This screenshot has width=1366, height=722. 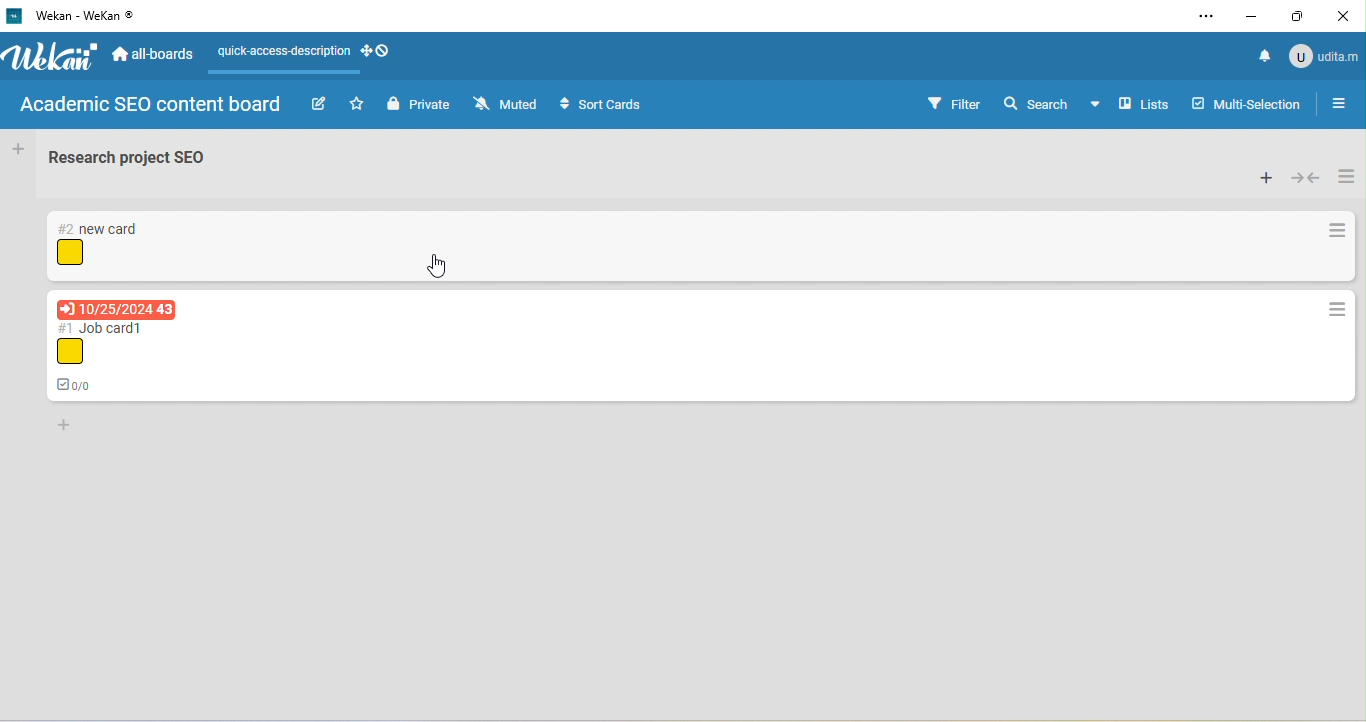 What do you see at coordinates (318, 105) in the screenshot?
I see `edit` at bounding box center [318, 105].